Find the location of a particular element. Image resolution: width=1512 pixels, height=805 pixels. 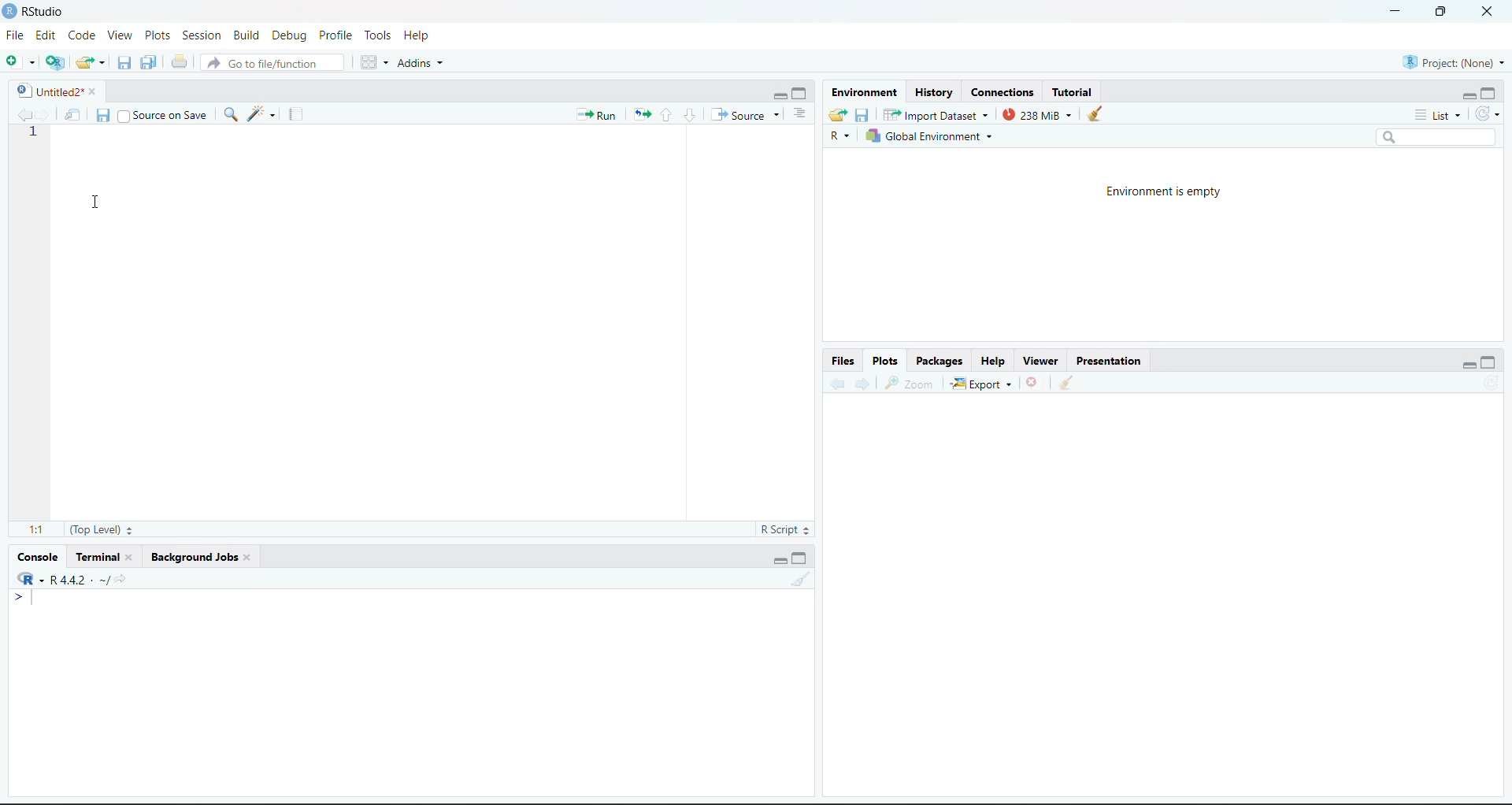

minimize is located at coordinates (1468, 367).